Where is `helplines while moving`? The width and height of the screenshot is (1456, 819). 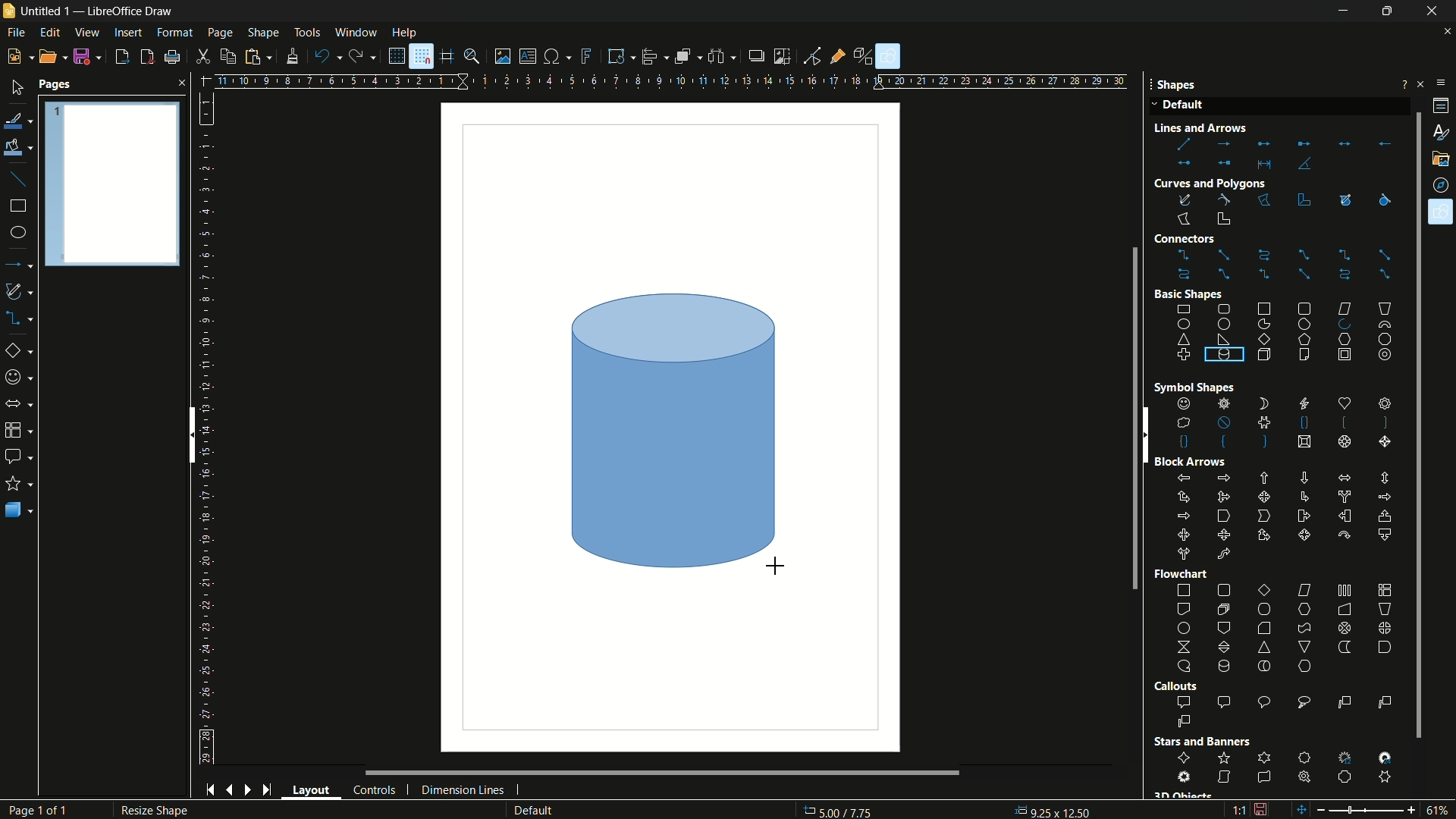 helplines while moving is located at coordinates (447, 58).